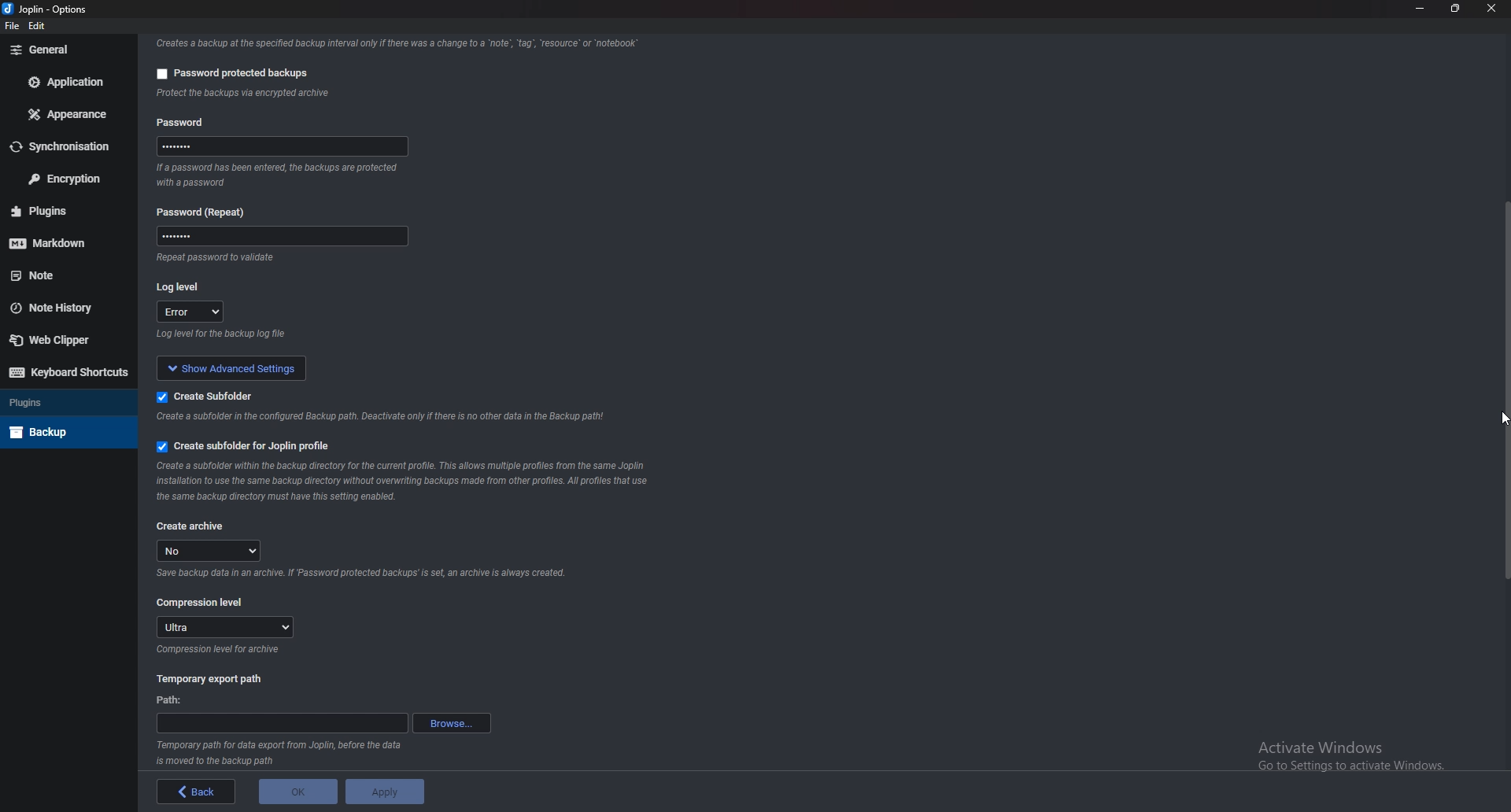 This screenshot has height=812, width=1511. I want to click on general, so click(64, 50).